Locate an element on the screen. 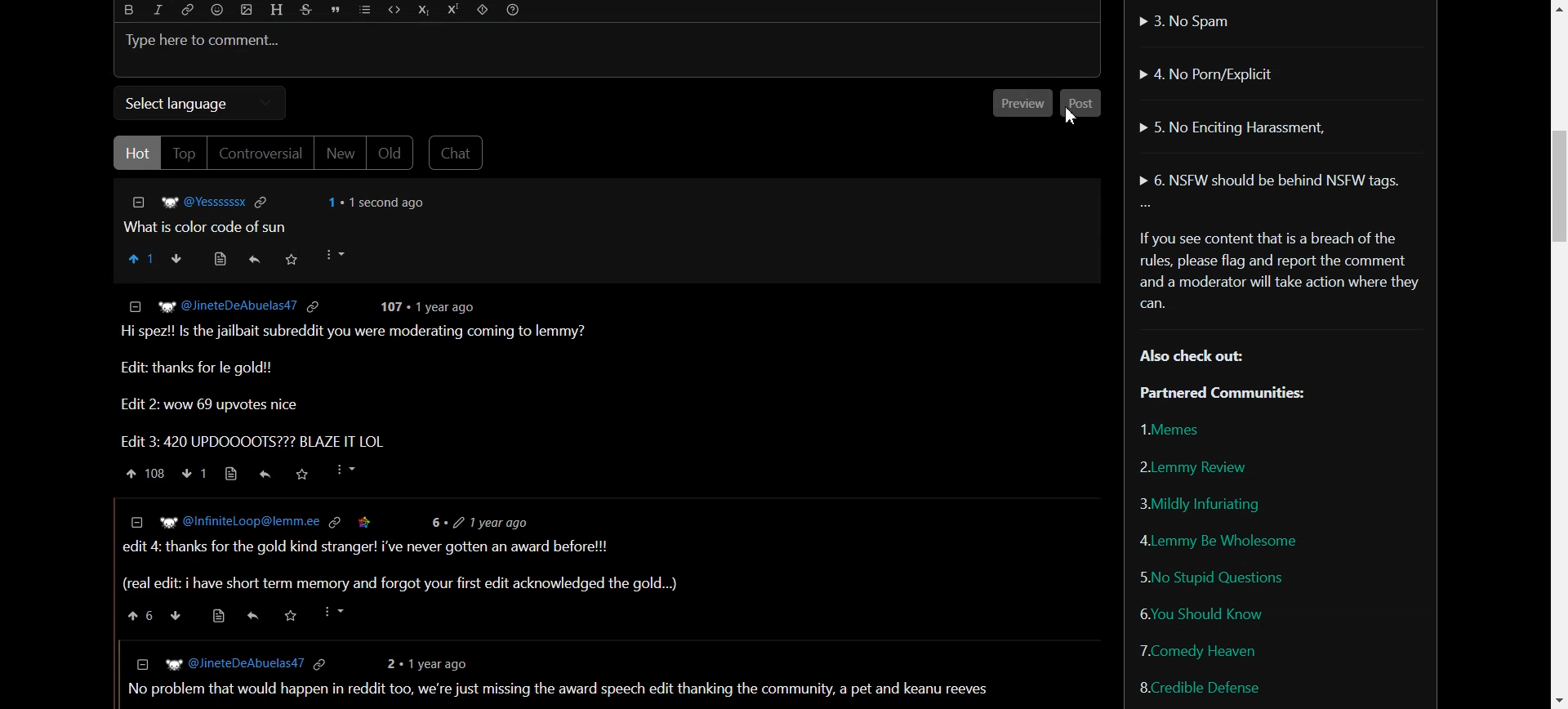 The height and width of the screenshot is (709, 1568). NSFW should be behind NSFW tags is located at coordinates (1273, 181).